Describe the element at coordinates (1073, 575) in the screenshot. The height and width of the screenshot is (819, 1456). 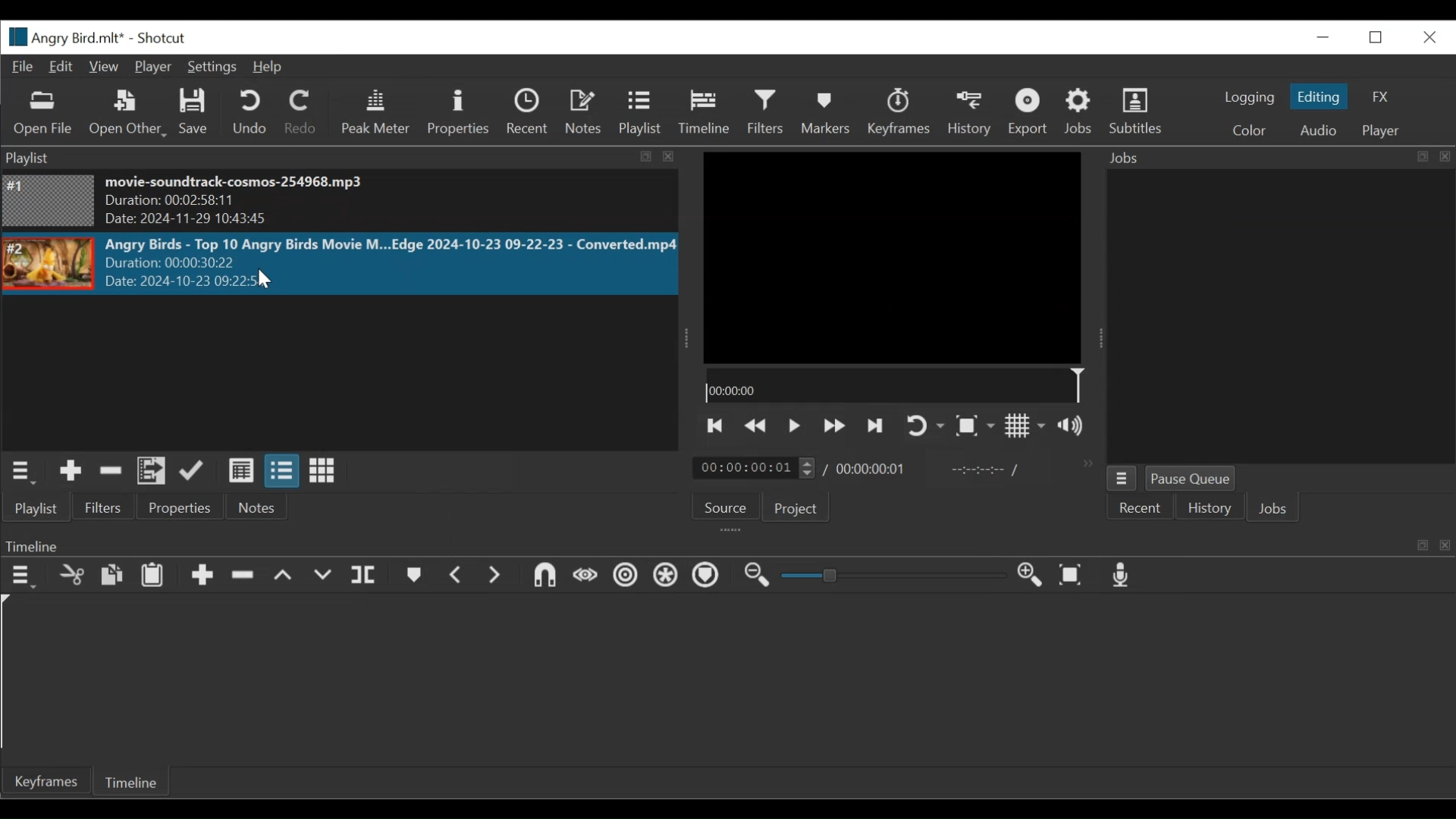
I see `Zoom timeline to fit` at that location.